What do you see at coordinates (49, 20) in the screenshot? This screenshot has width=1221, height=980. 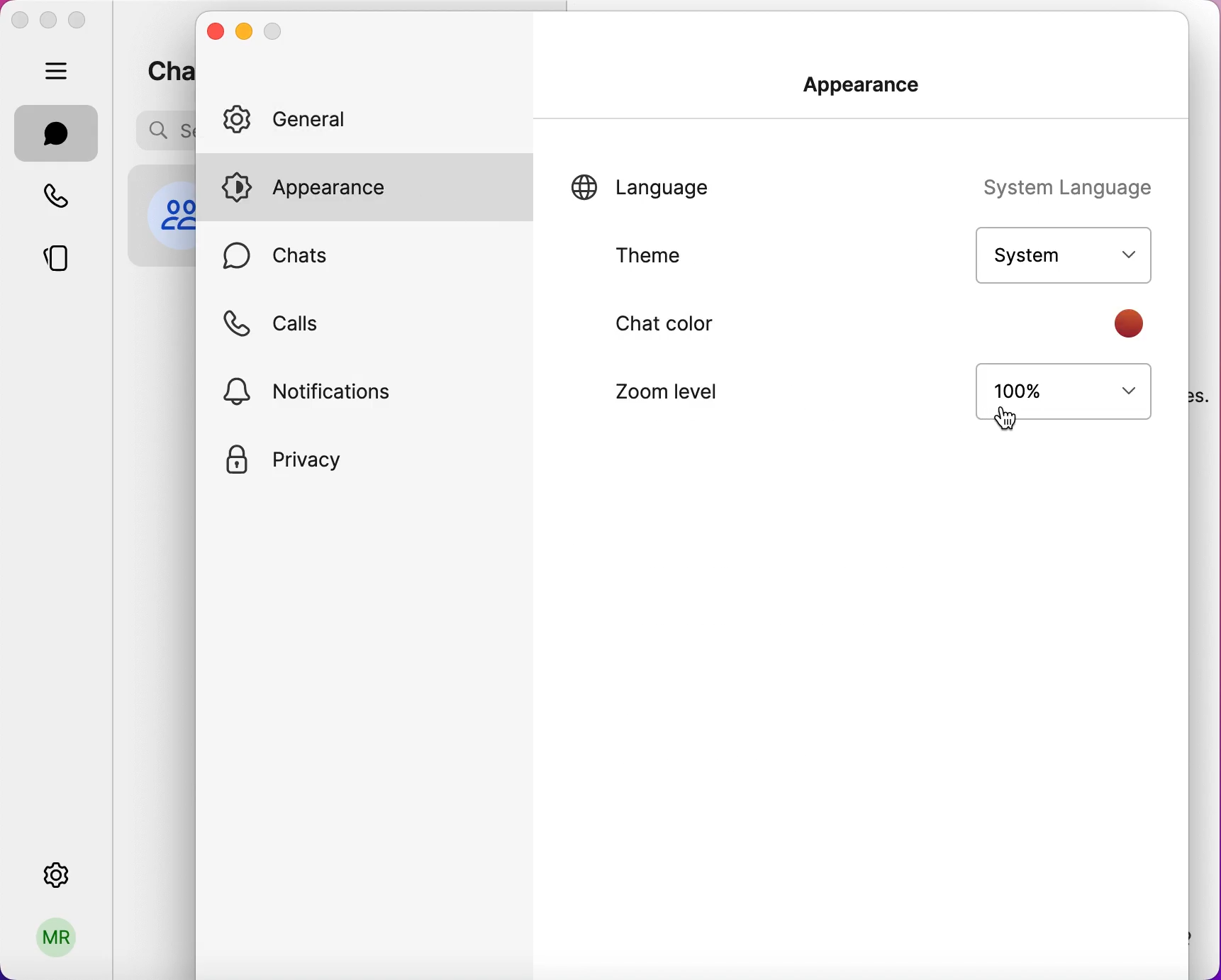 I see `minimize` at bounding box center [49, 20].